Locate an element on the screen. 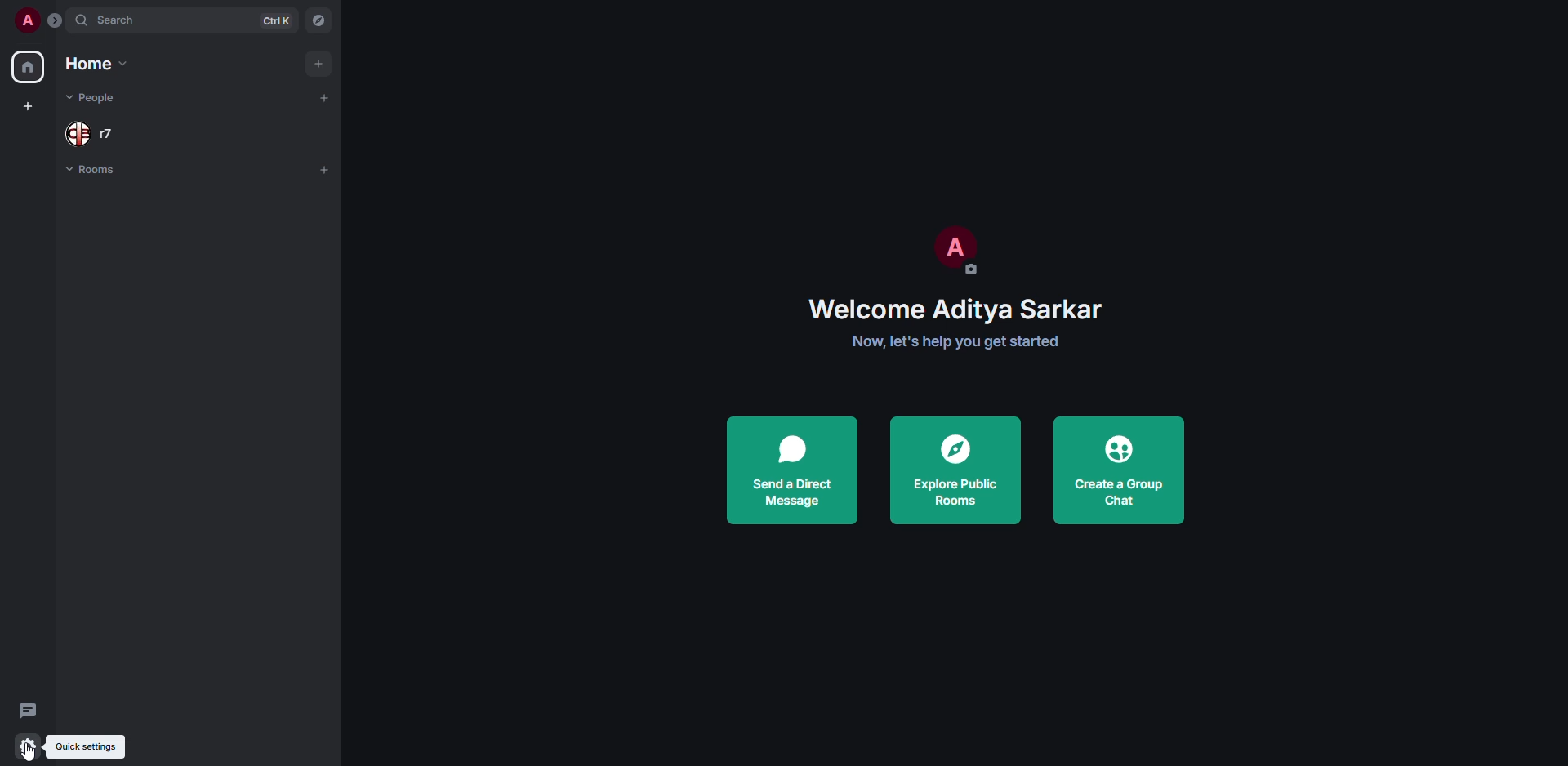  cursor is located at coordinates (29, 753).